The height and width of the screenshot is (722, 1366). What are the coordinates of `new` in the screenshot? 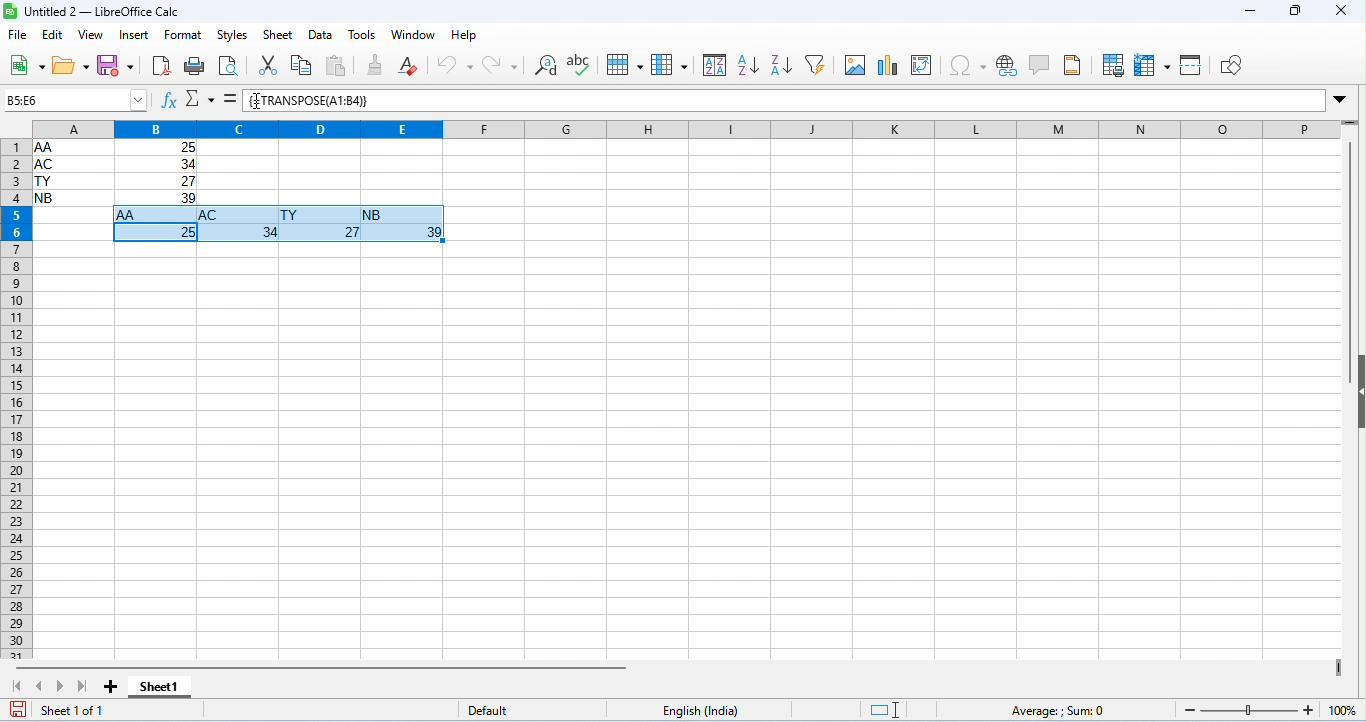 It's located at (27, 67).